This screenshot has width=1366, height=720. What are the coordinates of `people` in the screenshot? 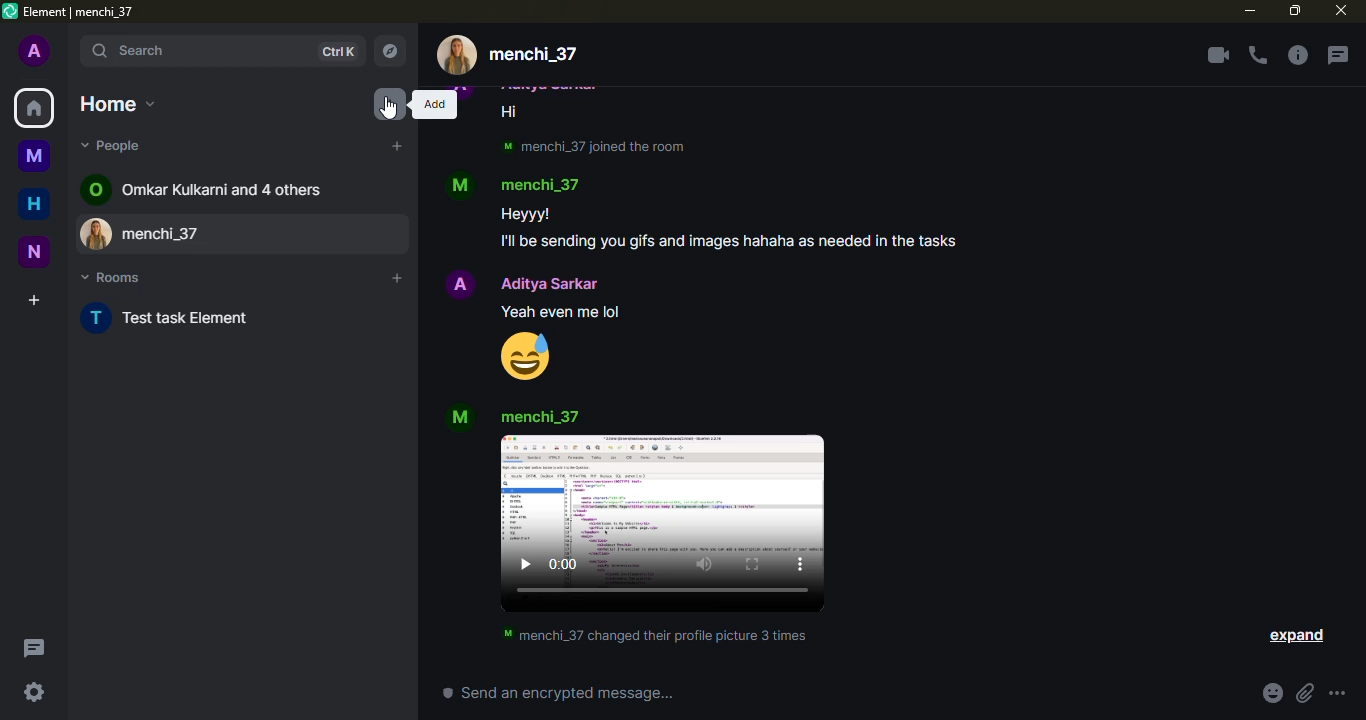 It's located at (114, 145).